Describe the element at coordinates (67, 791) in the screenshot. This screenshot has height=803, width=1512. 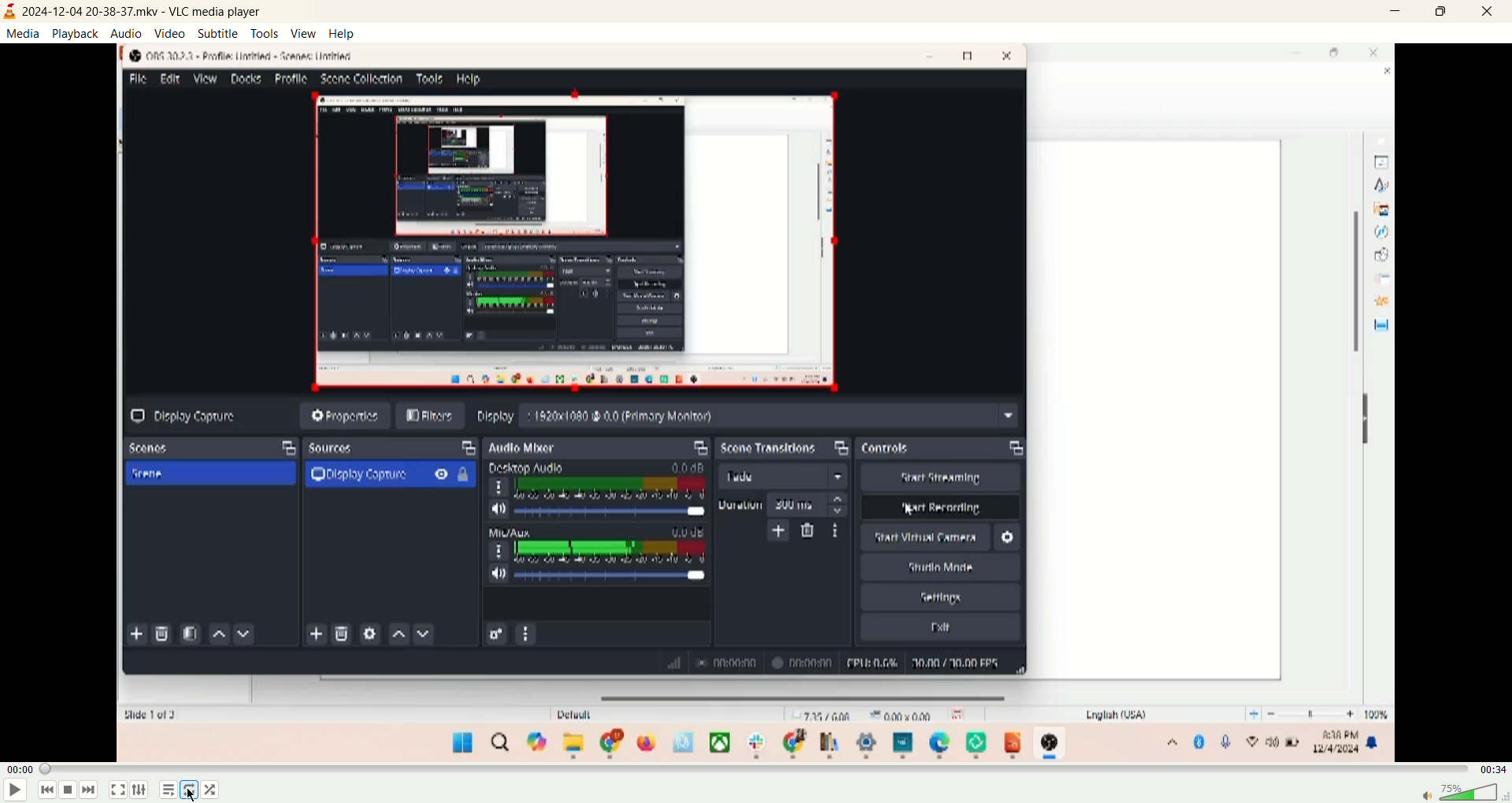
I see `stop` at that location.